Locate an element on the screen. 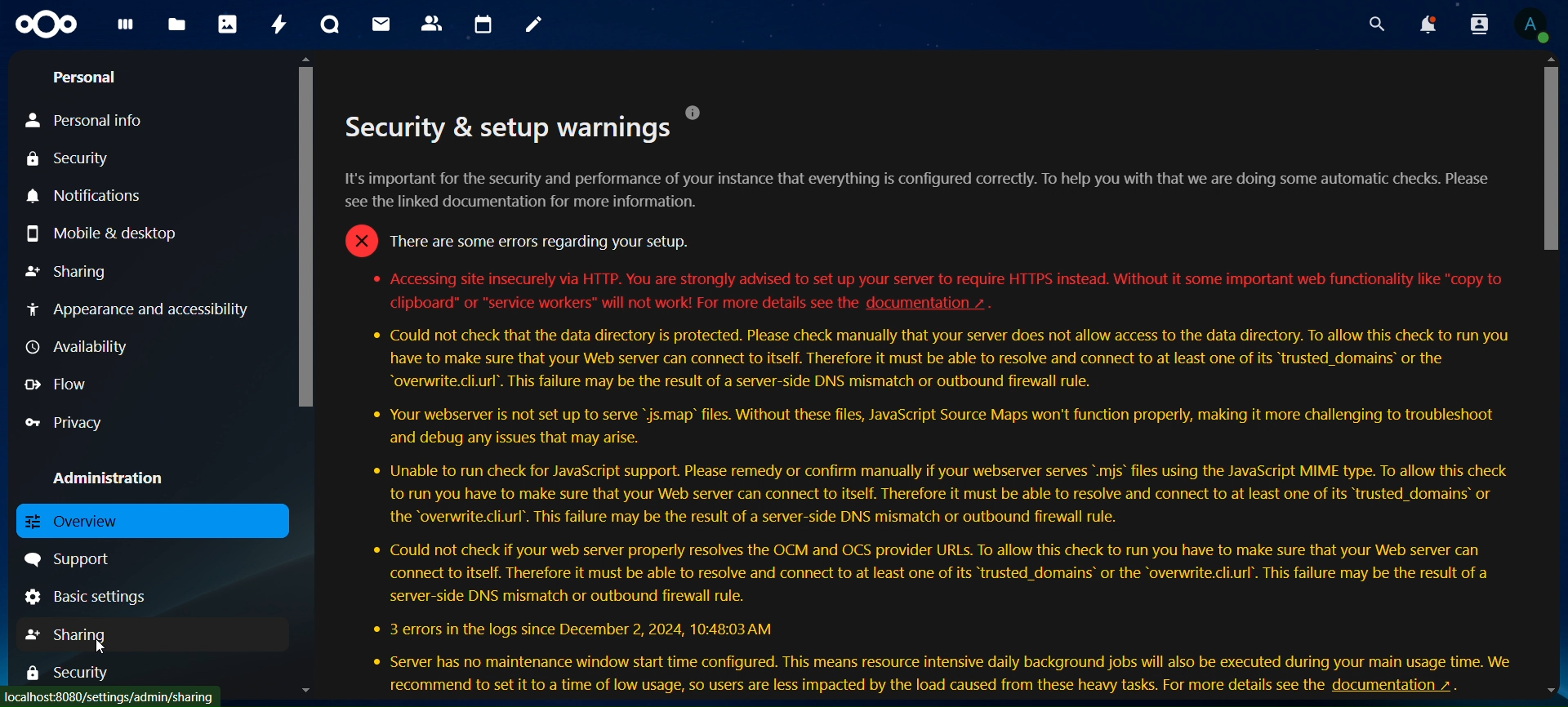 This screenshot has width=1568, height=707. activity is located at coordinates (281, 25).